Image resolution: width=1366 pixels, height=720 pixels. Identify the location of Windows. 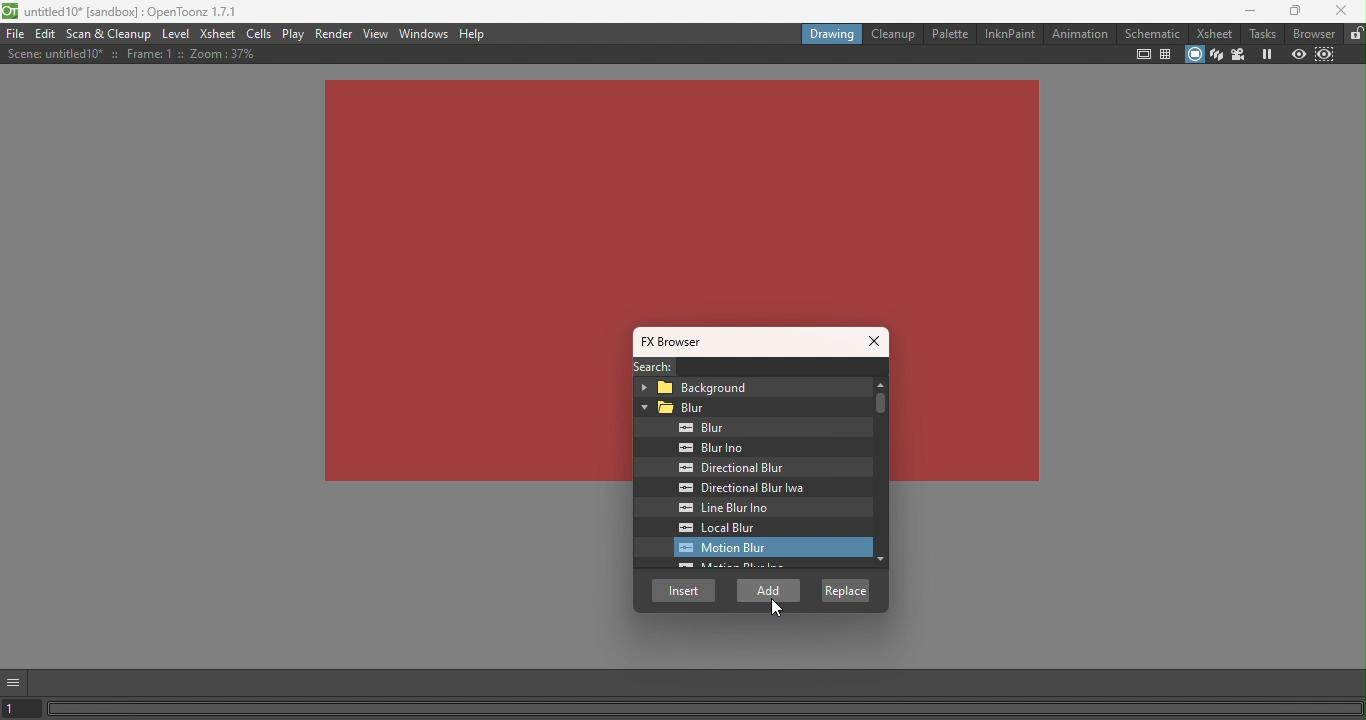
(426, 33).